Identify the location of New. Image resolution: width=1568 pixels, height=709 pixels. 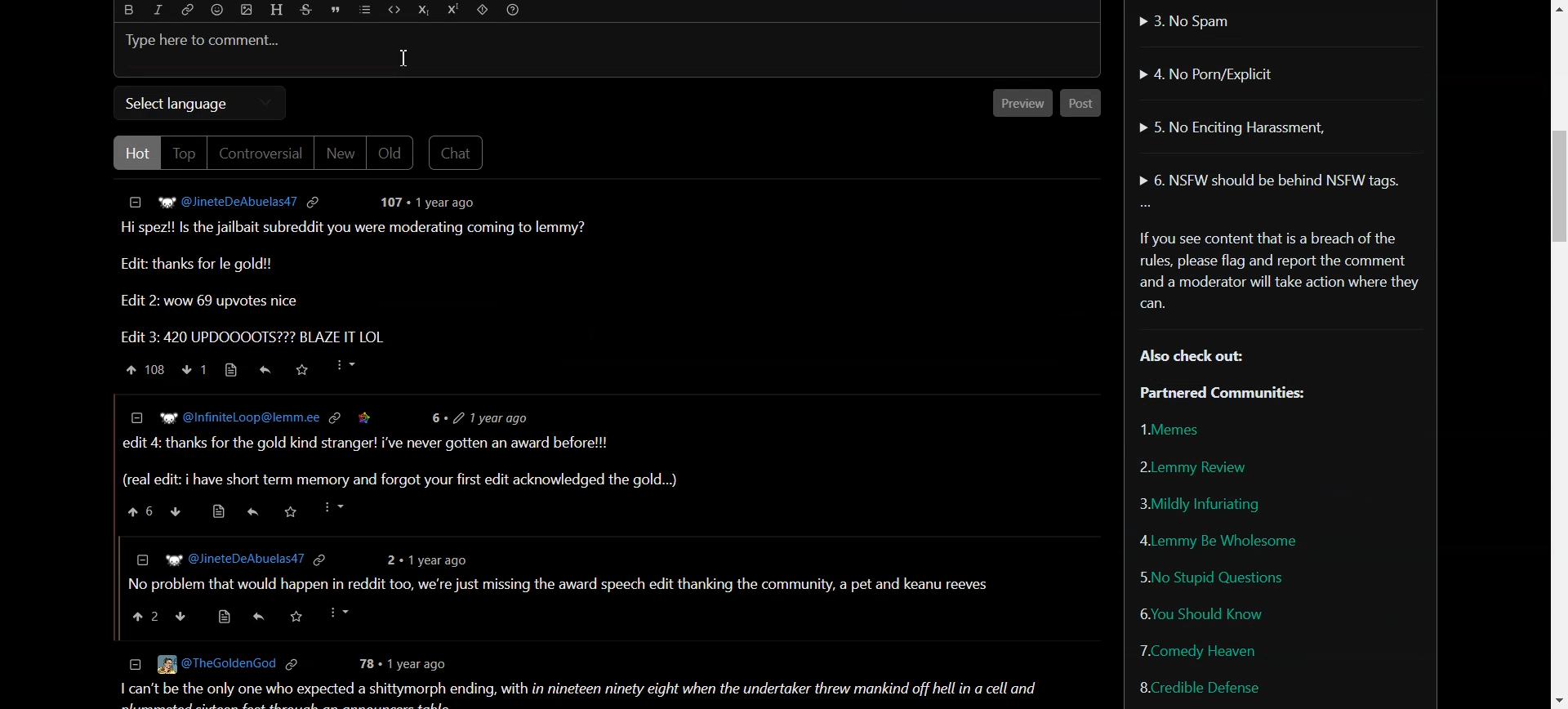
(341, 154).